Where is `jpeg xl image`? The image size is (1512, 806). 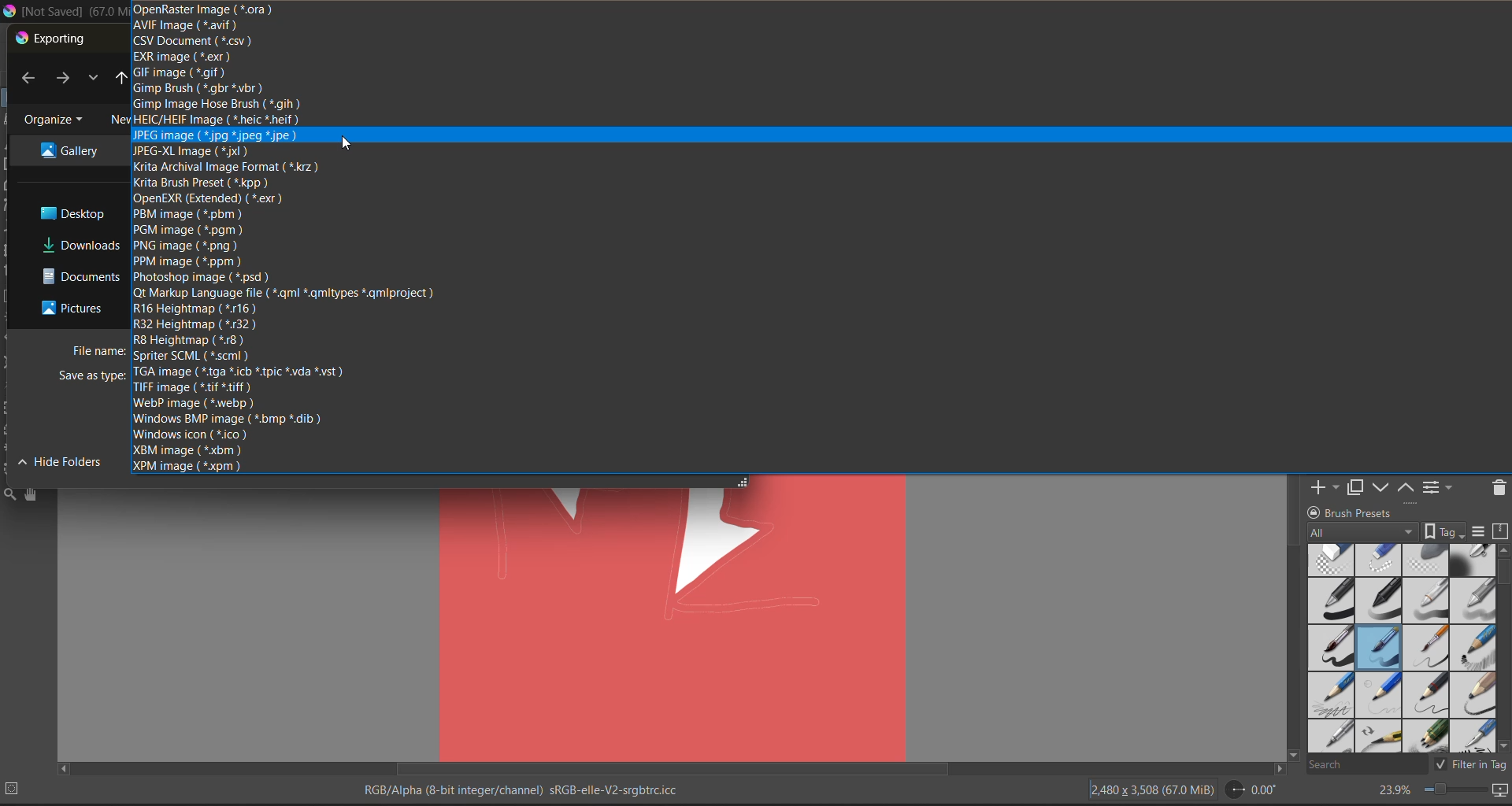
jpeg xl image is located at coordinates (191, 150).